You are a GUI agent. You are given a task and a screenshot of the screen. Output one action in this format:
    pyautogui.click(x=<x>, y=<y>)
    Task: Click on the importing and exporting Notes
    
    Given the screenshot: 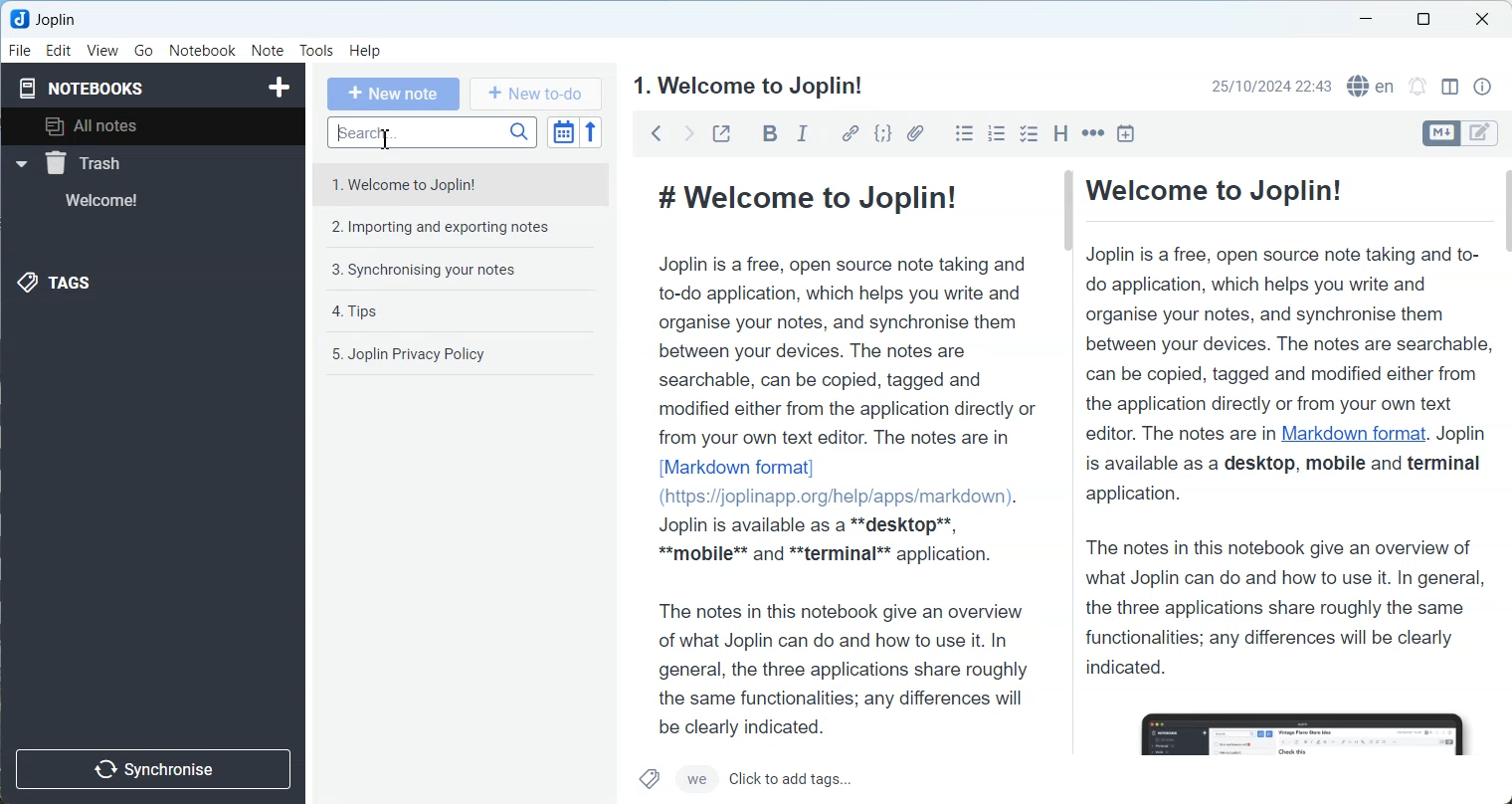 What is the action you would take?
    pyautogui.click(x=465, y=226)
    